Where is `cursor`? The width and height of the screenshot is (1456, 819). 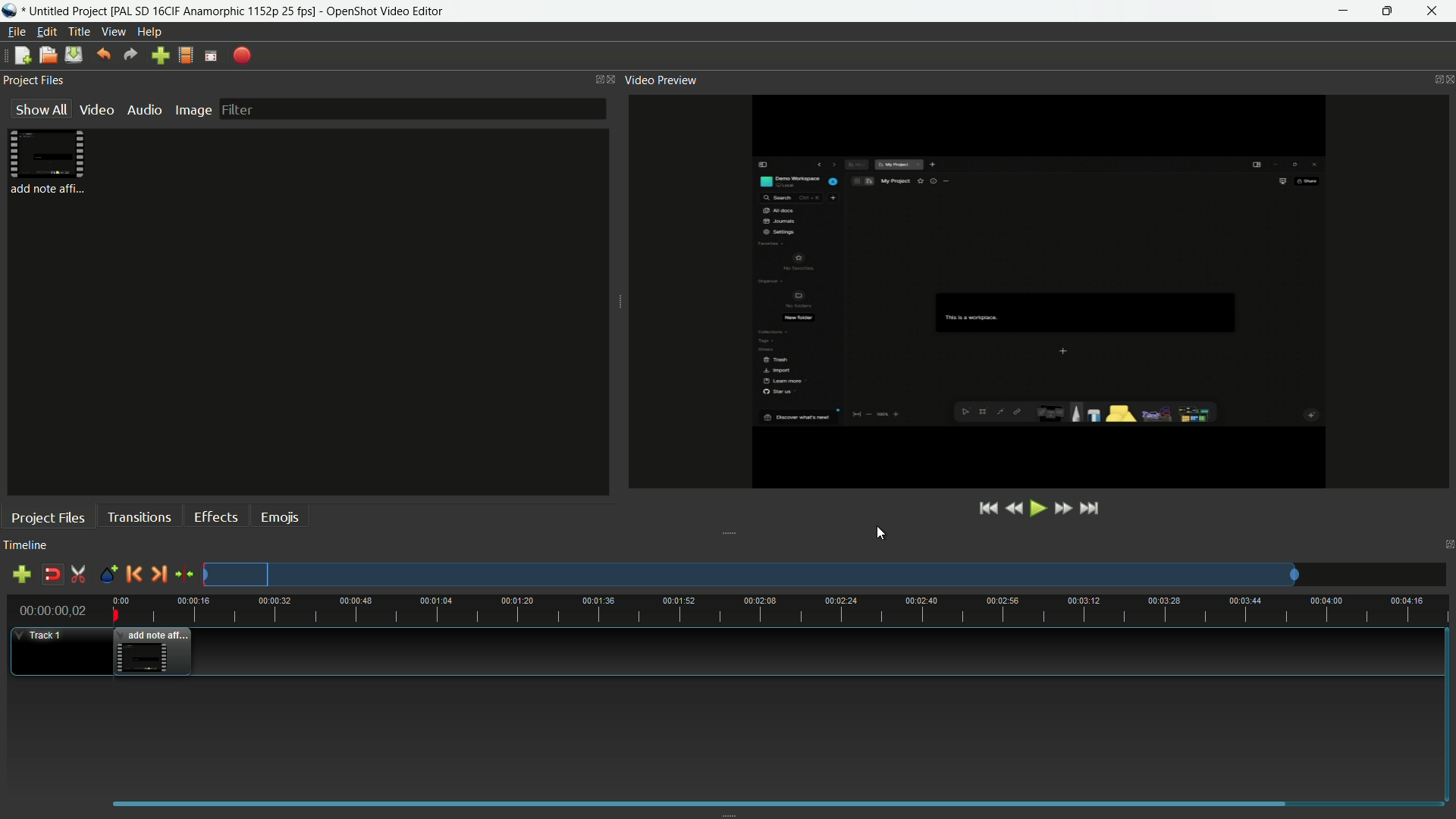
cursor is located at coordinates (881, 535).